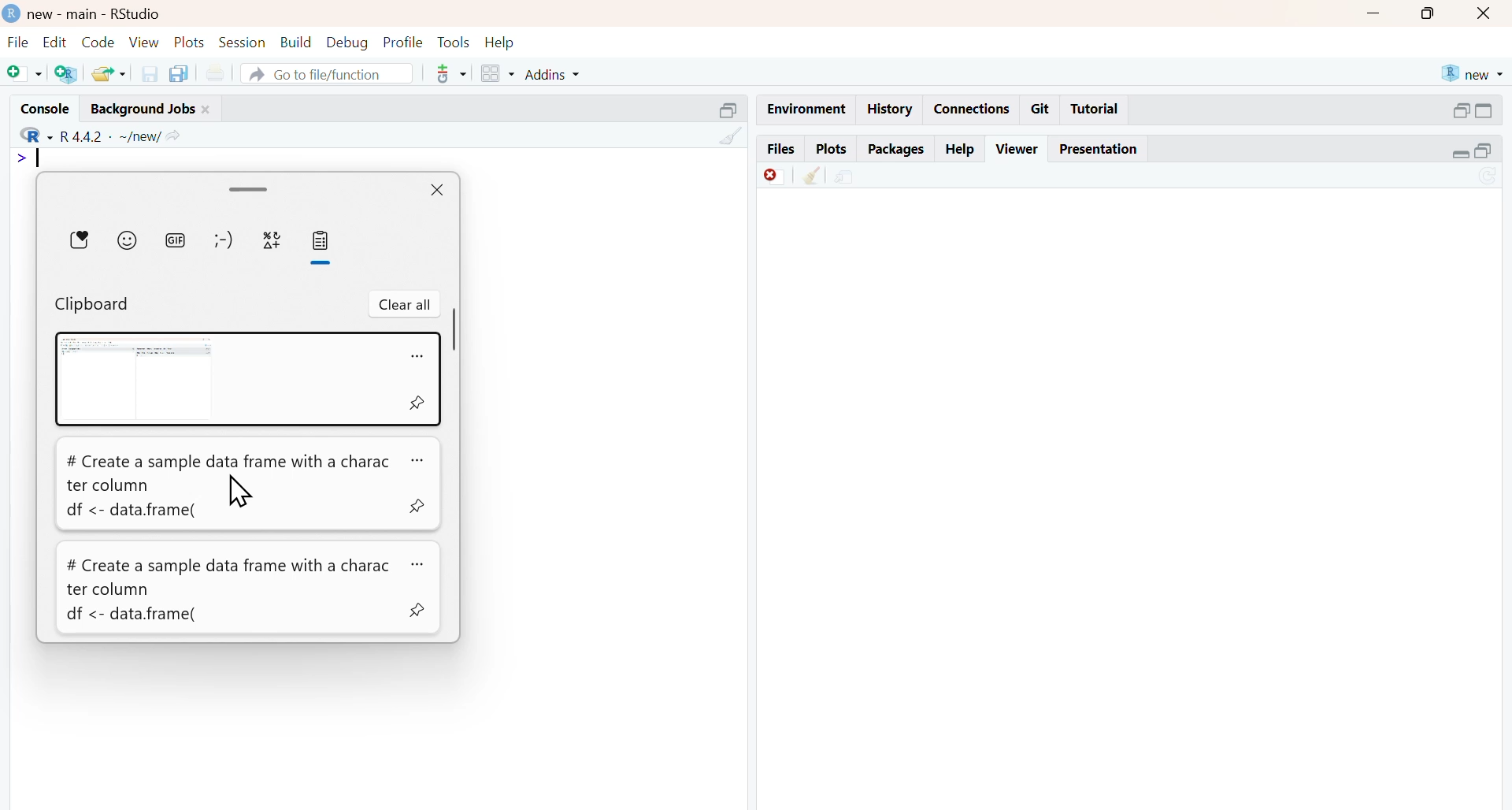  I want to click on more, so click(416, 460).